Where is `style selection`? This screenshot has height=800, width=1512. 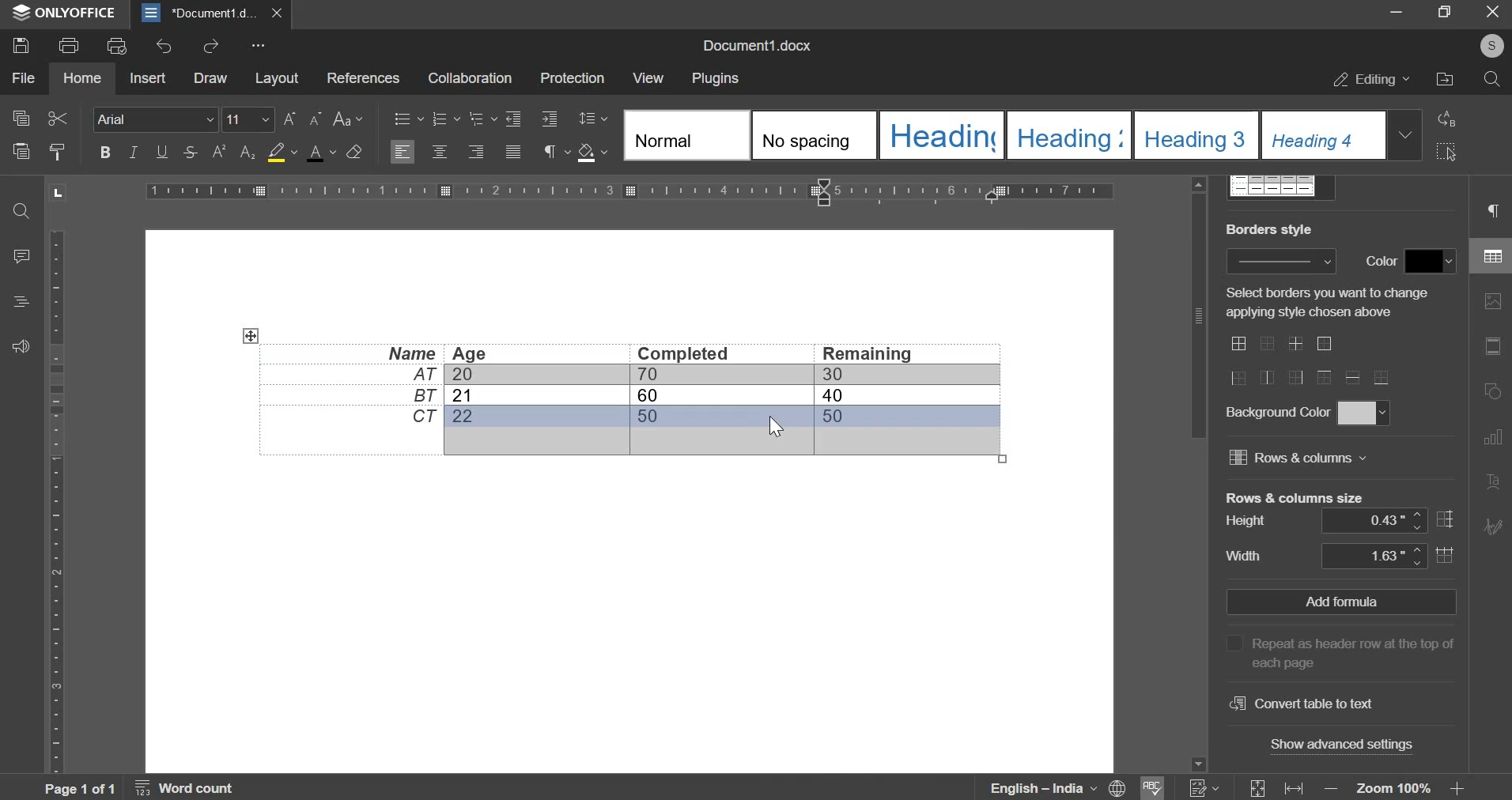
style selection is located at coordinates (1023, 135).